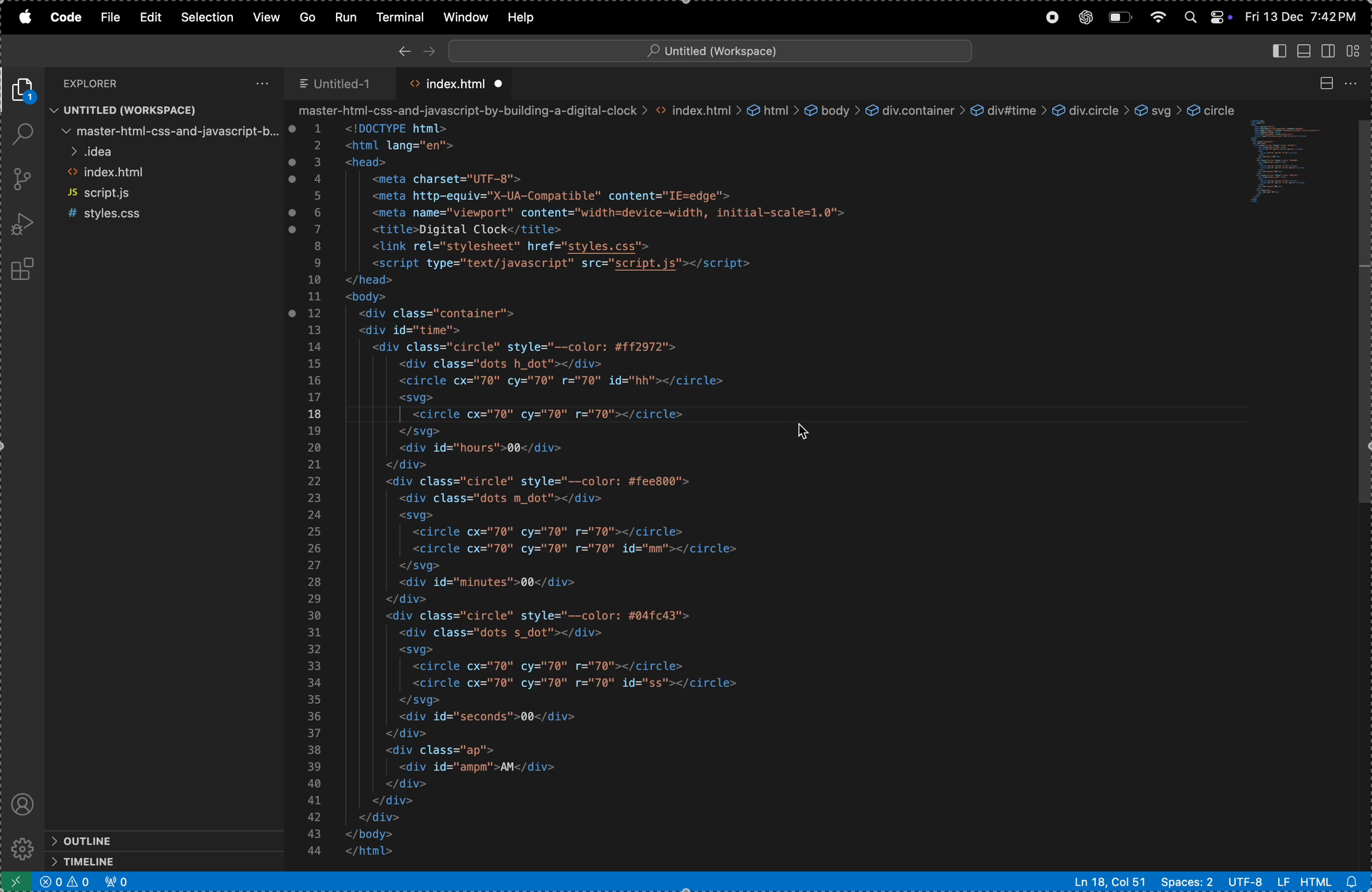  What do you see at coordinates (29, 18) in the screenshot?
I see `apple menu` at bounding box center [29, 18].